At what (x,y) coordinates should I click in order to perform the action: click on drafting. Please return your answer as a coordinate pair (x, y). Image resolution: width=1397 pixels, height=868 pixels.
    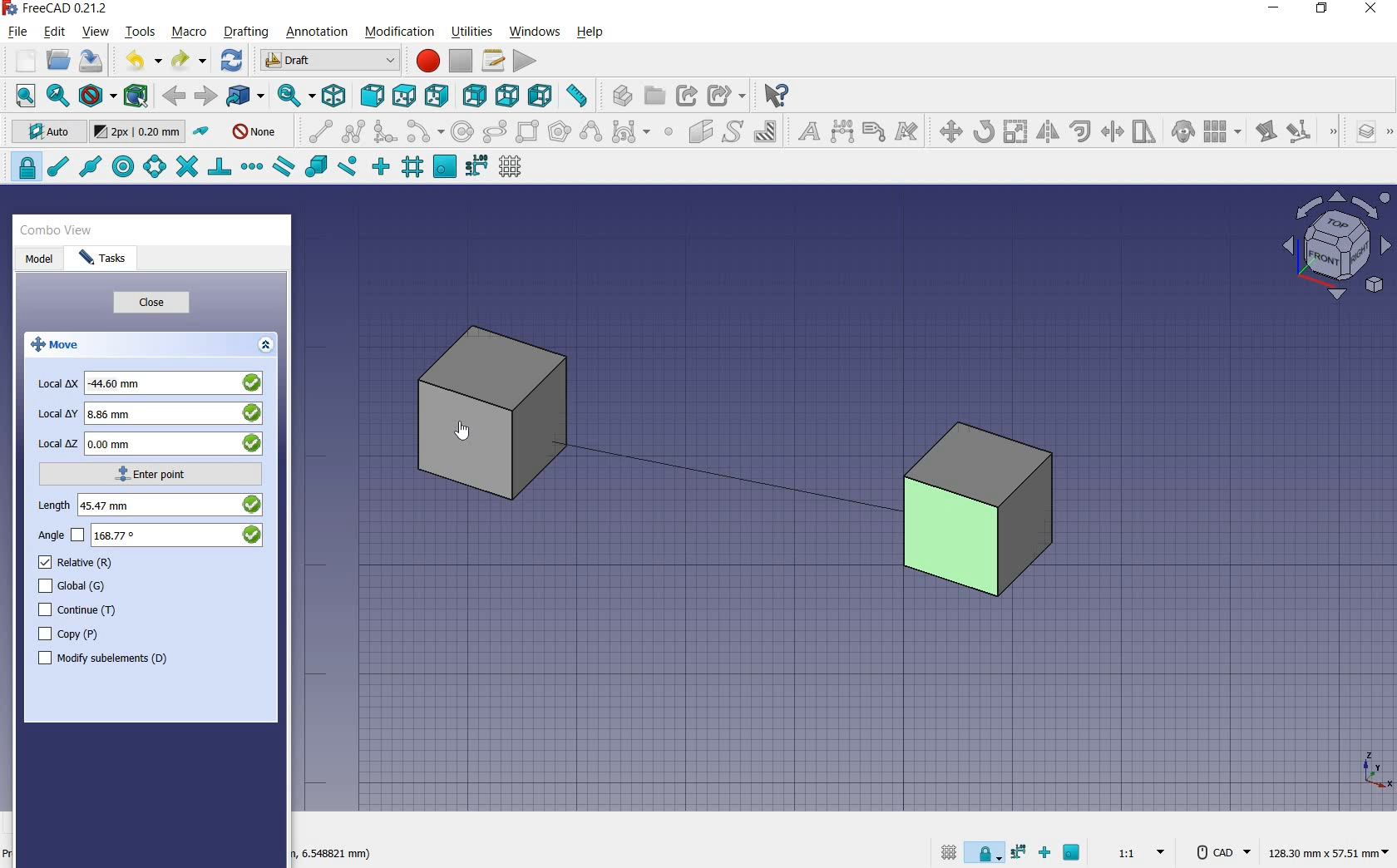
    Looking at the image, I should click on (246, 32).